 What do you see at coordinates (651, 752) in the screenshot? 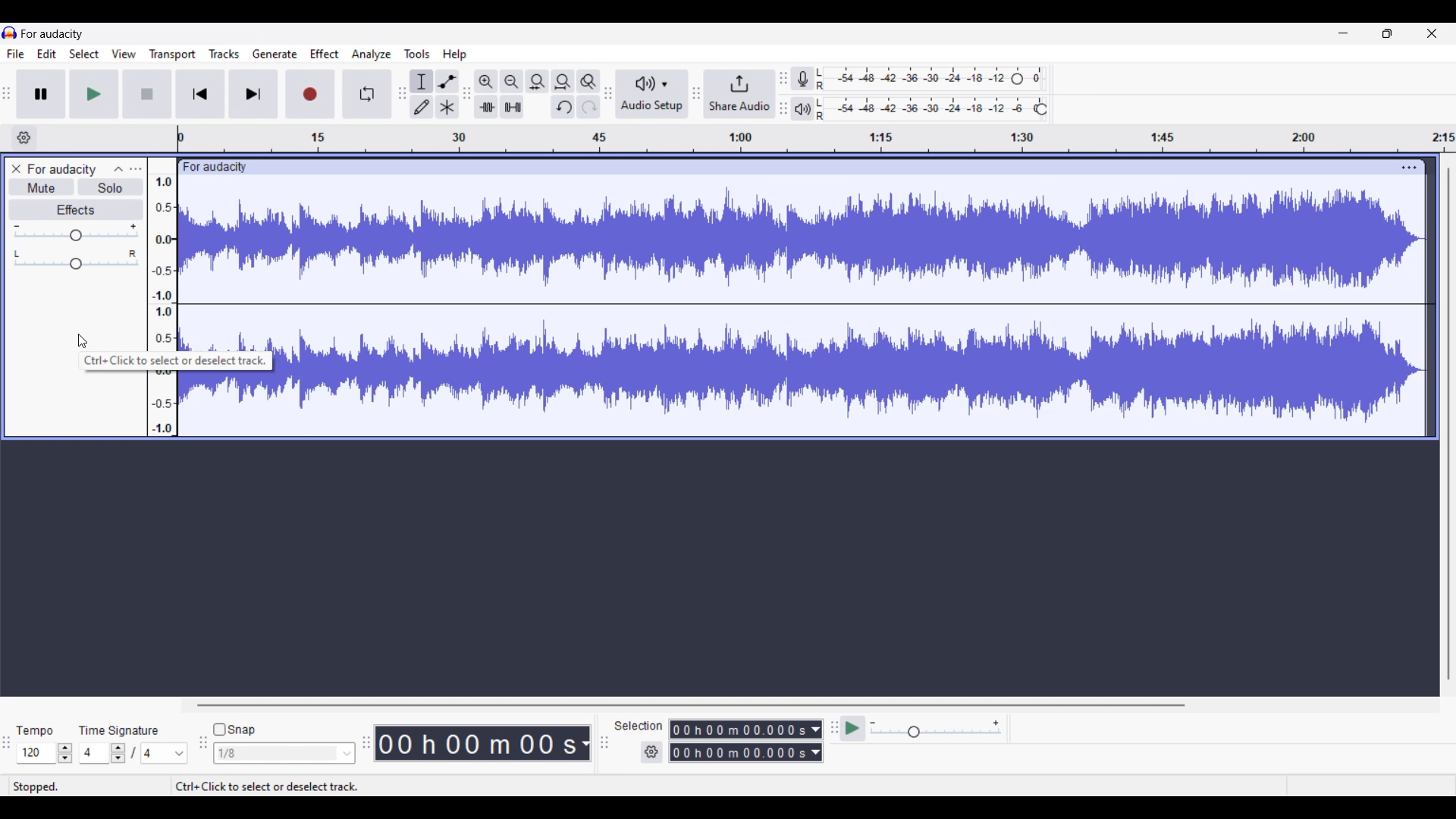
I see `Settings` at bounding box center [651, 752].